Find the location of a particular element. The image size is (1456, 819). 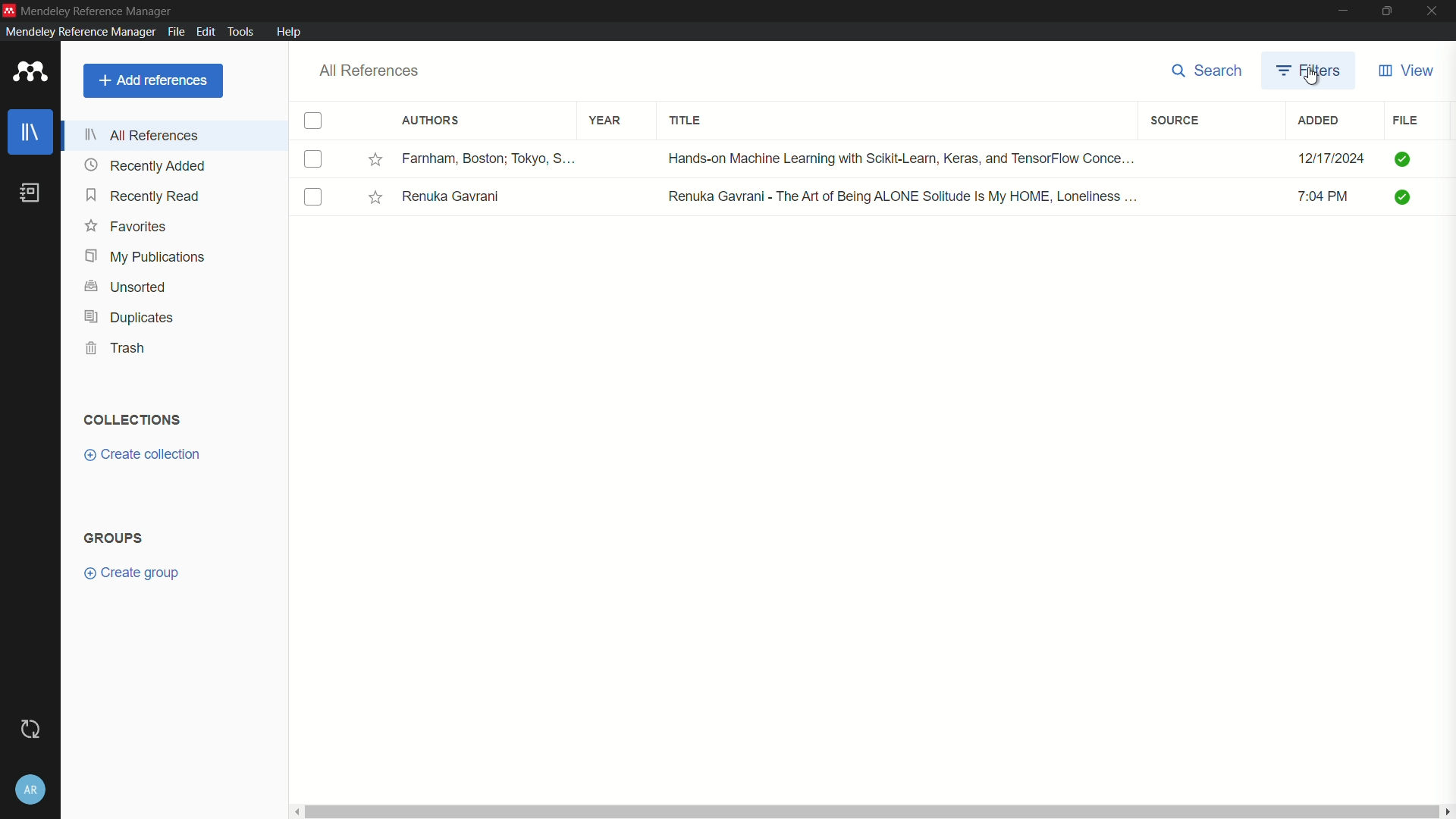

Checked symbol is located at coordinates (1403, 158).